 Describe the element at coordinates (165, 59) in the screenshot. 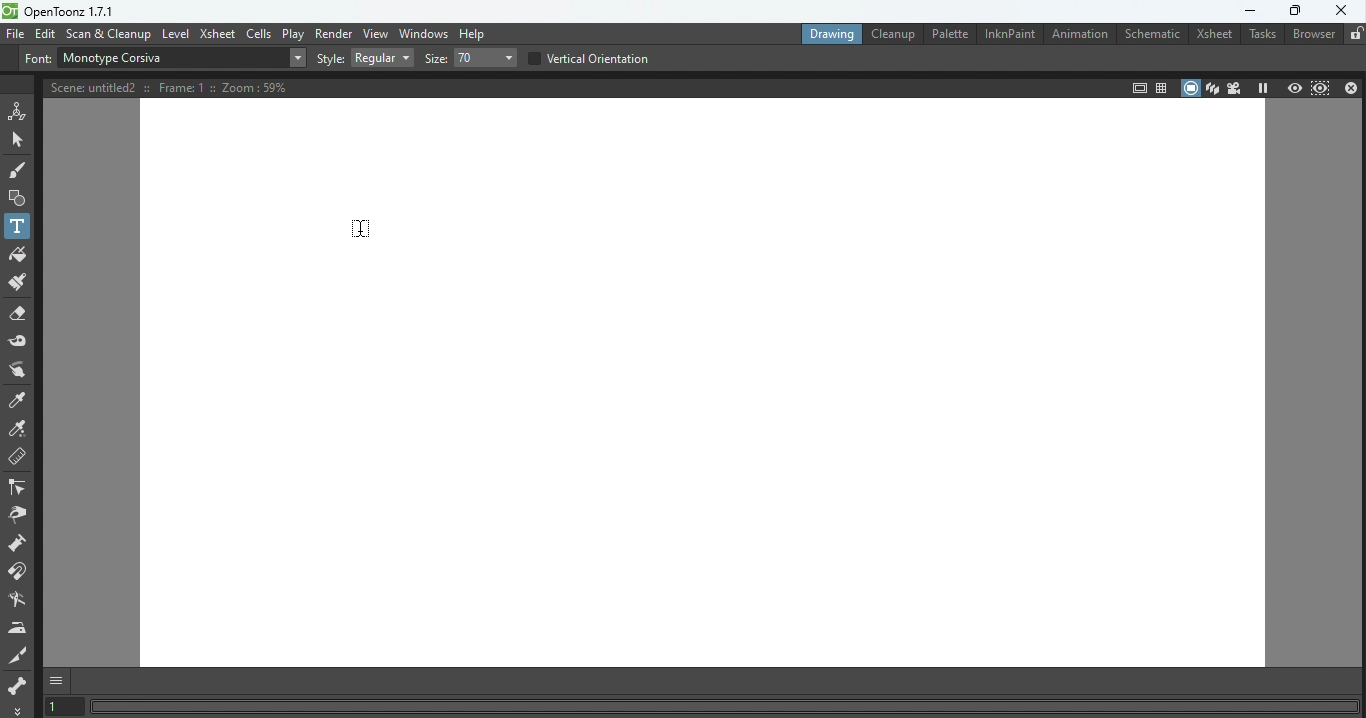

I see `Text box` at that location.